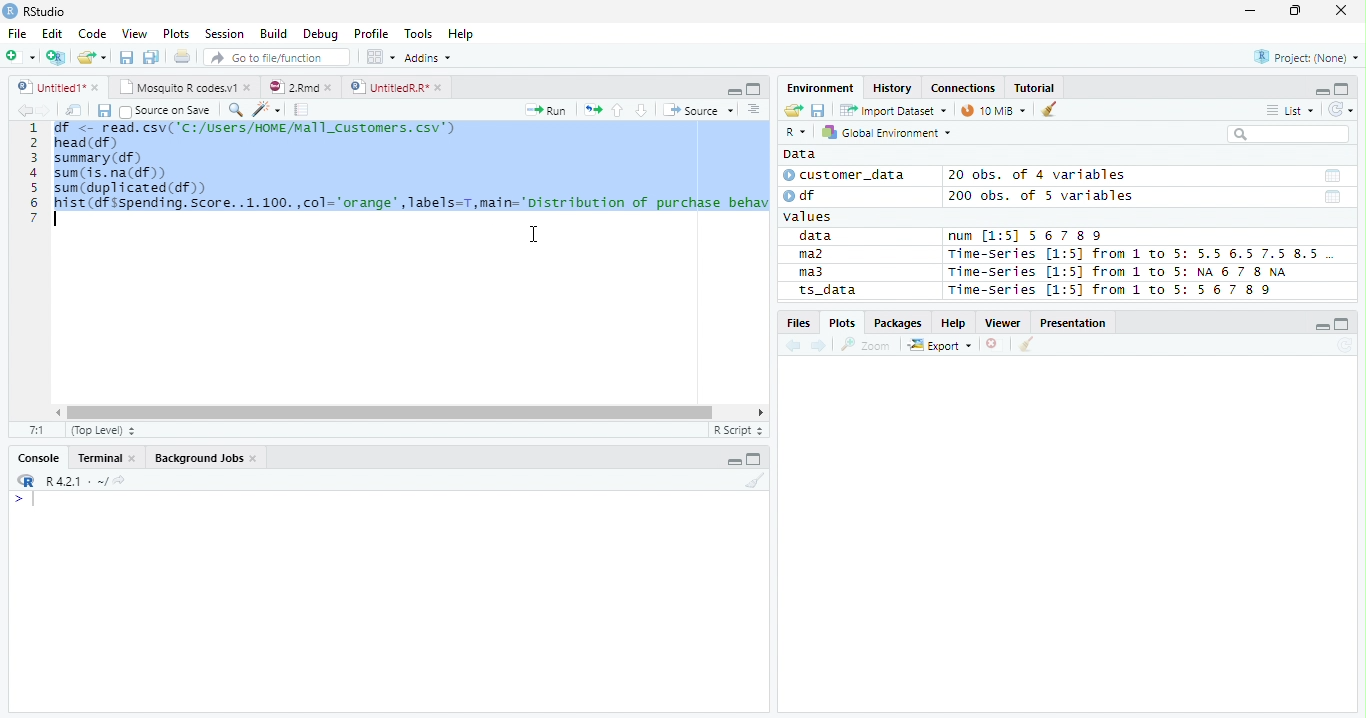  What do you see at coordinates (887, 132) in the screenshot?
I see `Global Environment` at bounding box center [887, 132].